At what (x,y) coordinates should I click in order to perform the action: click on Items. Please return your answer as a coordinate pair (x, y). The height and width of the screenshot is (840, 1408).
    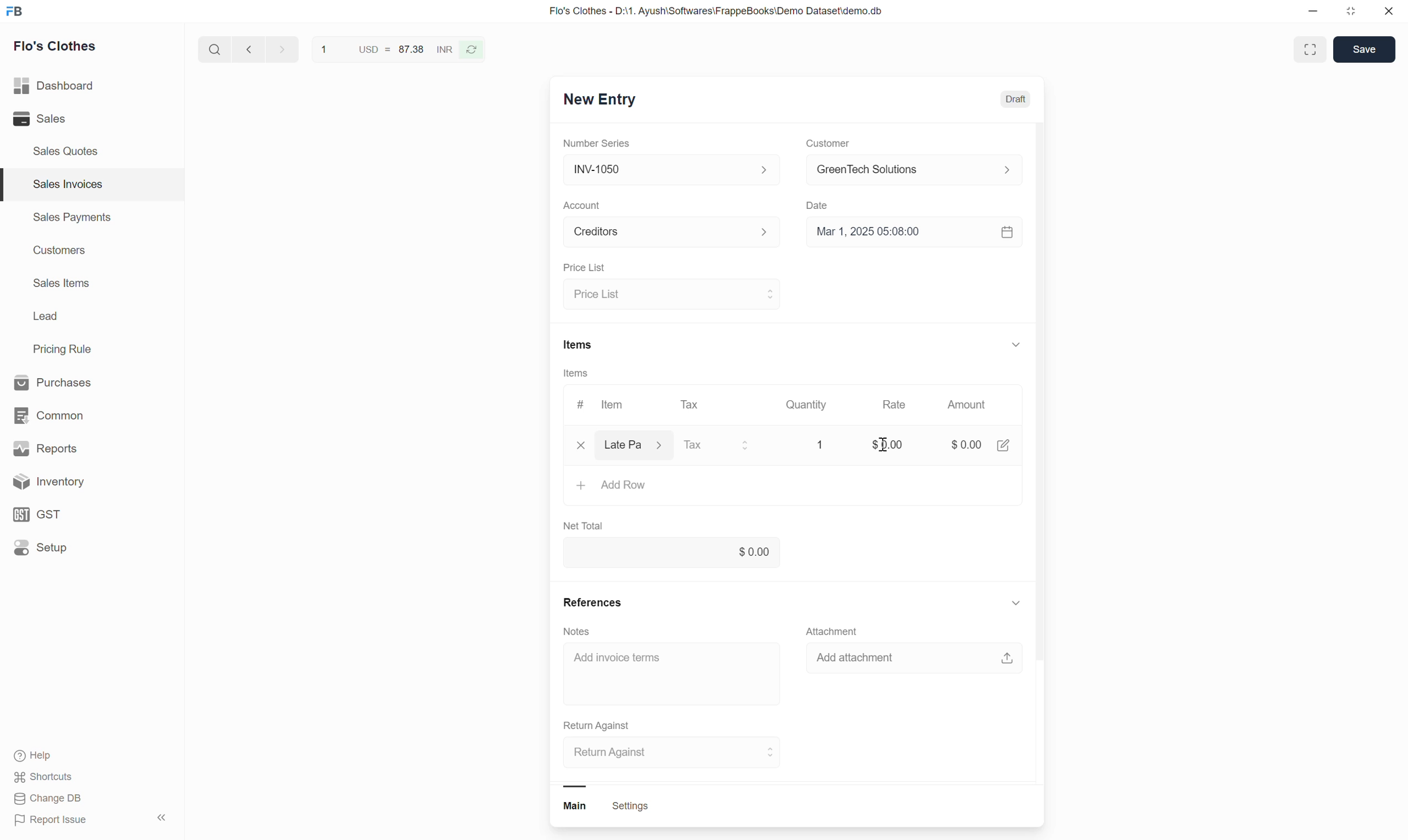
    Looking at the image, I should click on (576, 375).